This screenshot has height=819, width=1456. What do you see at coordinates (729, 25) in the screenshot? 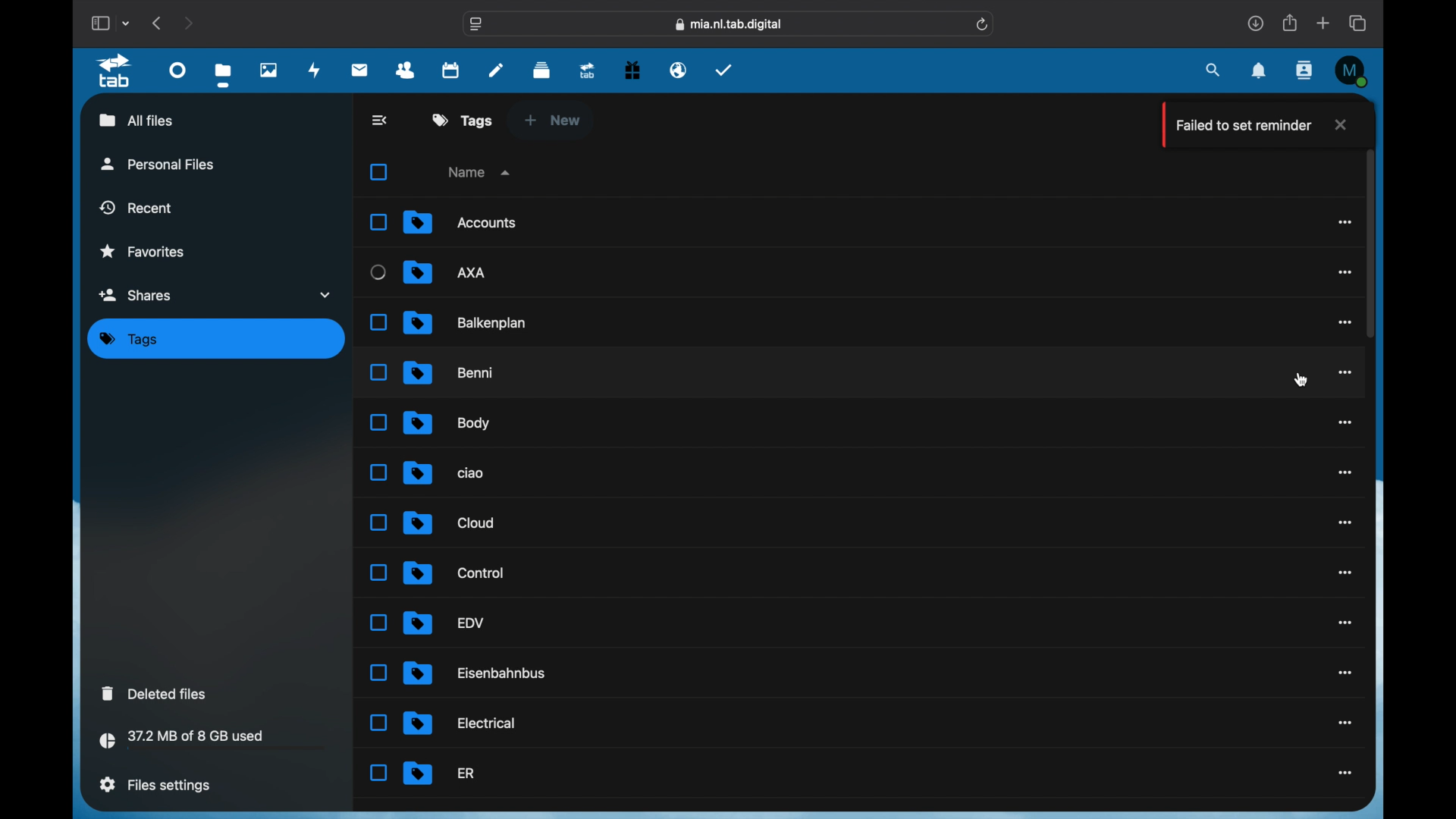
I see `web address` at bounding box center [729, 25].